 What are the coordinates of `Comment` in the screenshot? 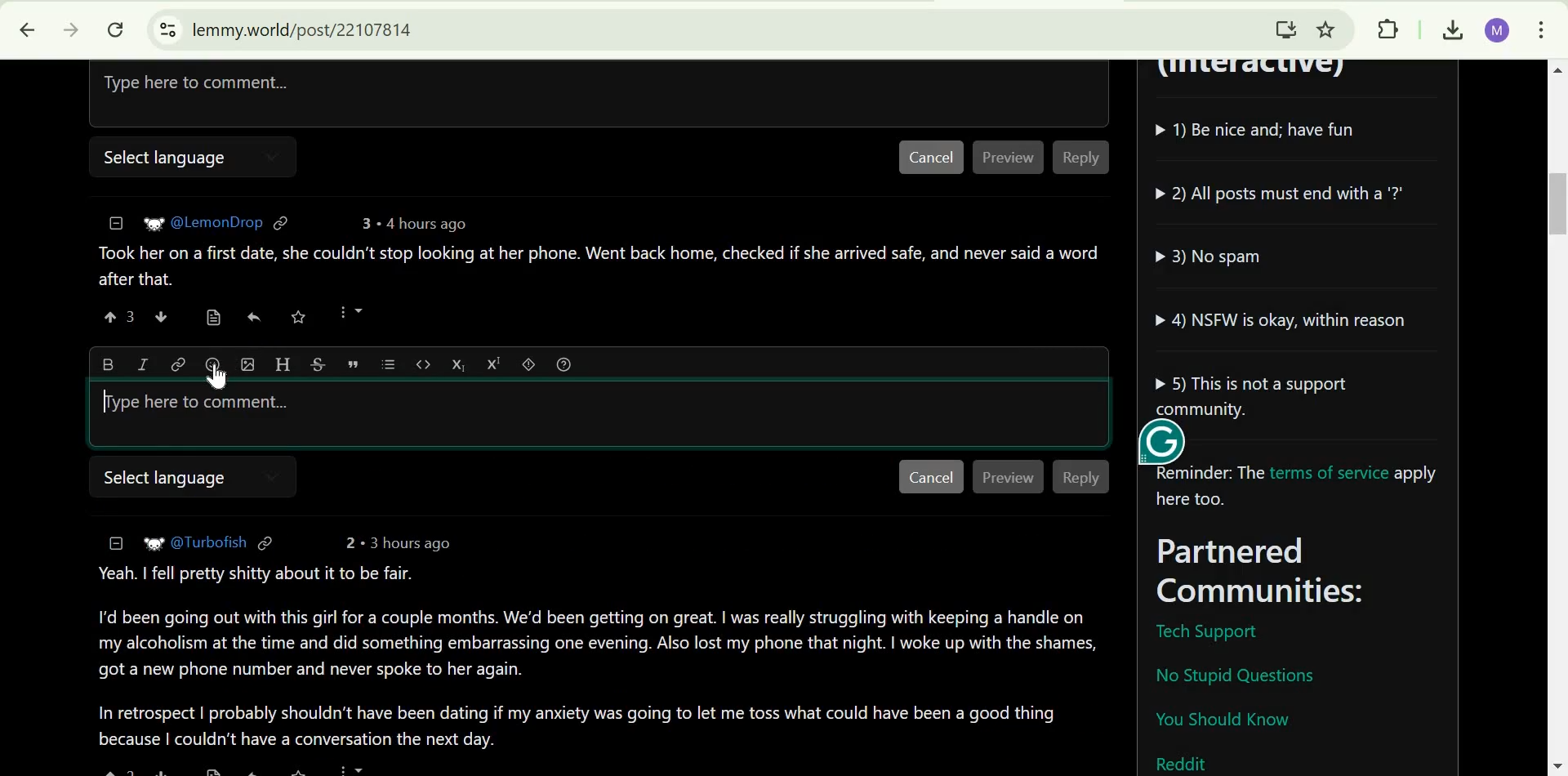 It's located at (595, 653).